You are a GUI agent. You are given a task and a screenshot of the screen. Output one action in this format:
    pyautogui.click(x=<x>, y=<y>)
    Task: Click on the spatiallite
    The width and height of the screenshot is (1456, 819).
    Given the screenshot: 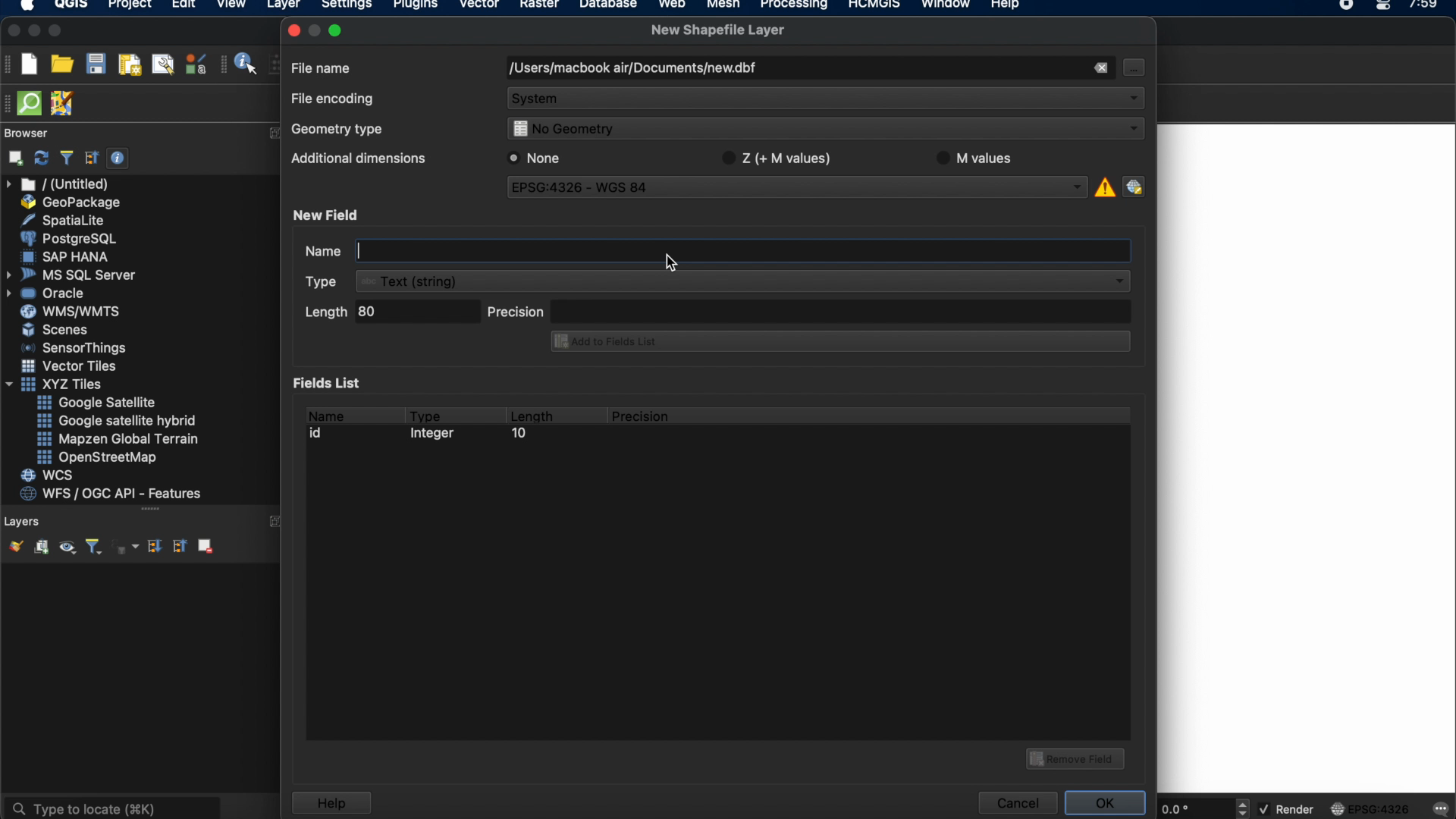 What is the action you would take?
    pyautogui.click(x=66, y=220)
    